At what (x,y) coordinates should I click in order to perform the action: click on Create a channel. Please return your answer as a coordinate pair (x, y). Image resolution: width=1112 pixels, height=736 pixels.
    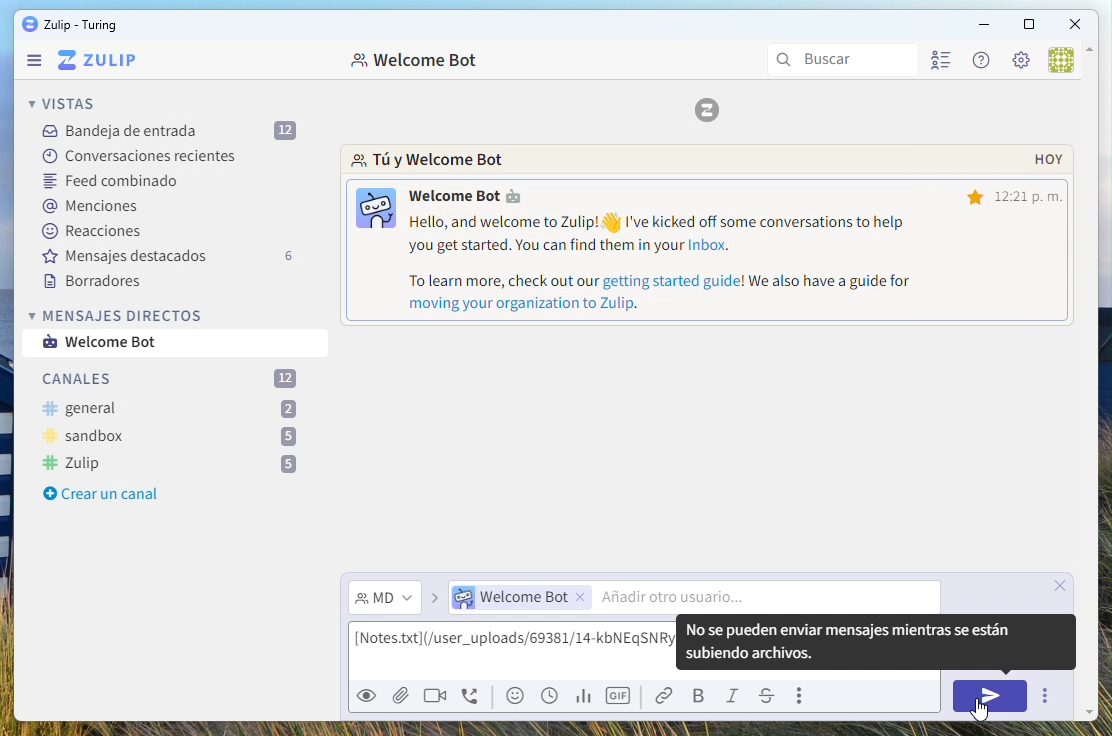
    Looking at the image, I should click on (97, 495).